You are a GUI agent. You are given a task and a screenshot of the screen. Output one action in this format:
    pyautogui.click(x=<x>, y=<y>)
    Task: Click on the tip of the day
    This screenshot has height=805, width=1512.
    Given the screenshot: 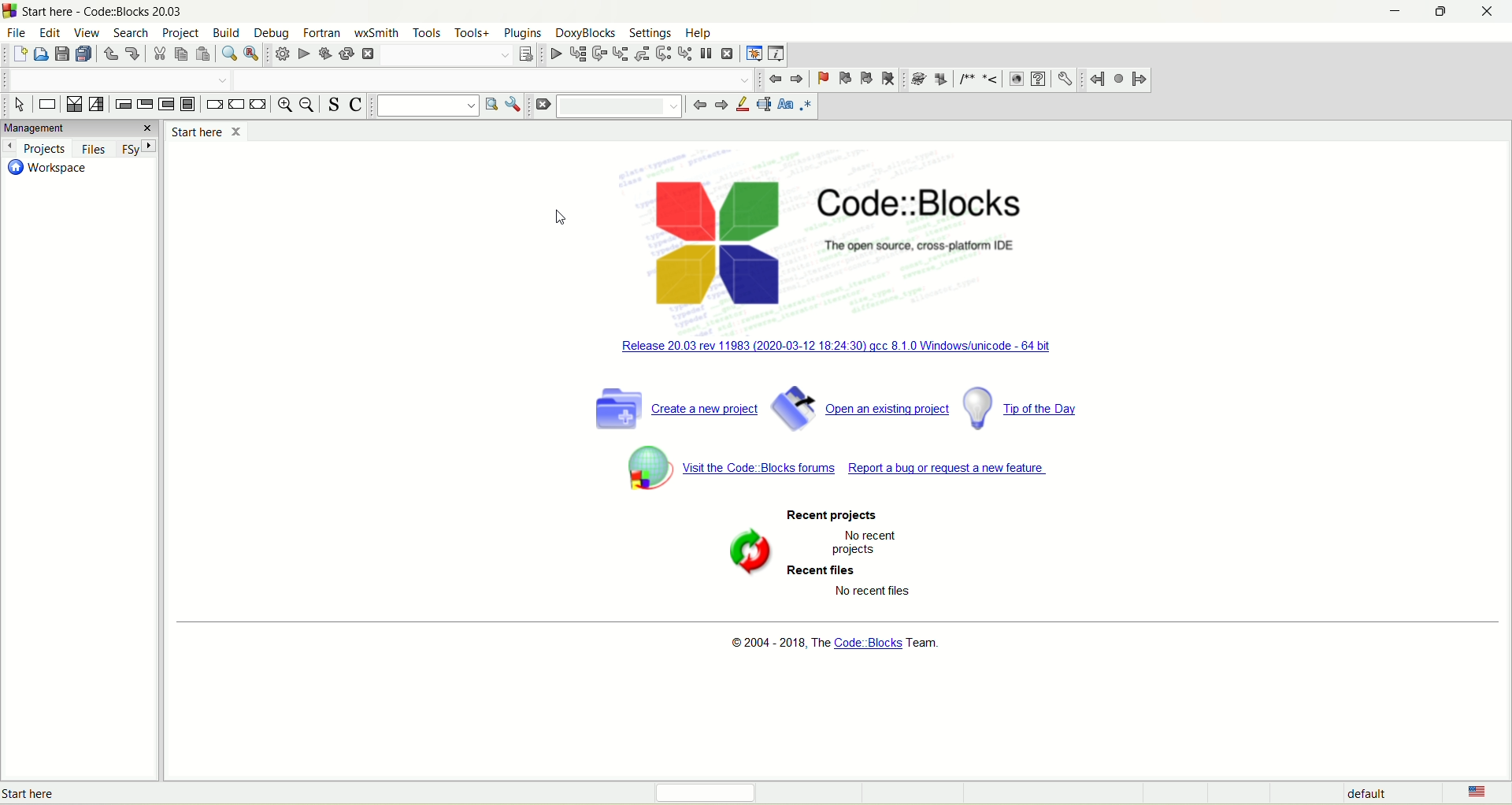 What is the action you would take?
    pyautogui.click(x=1024, y=403)
    